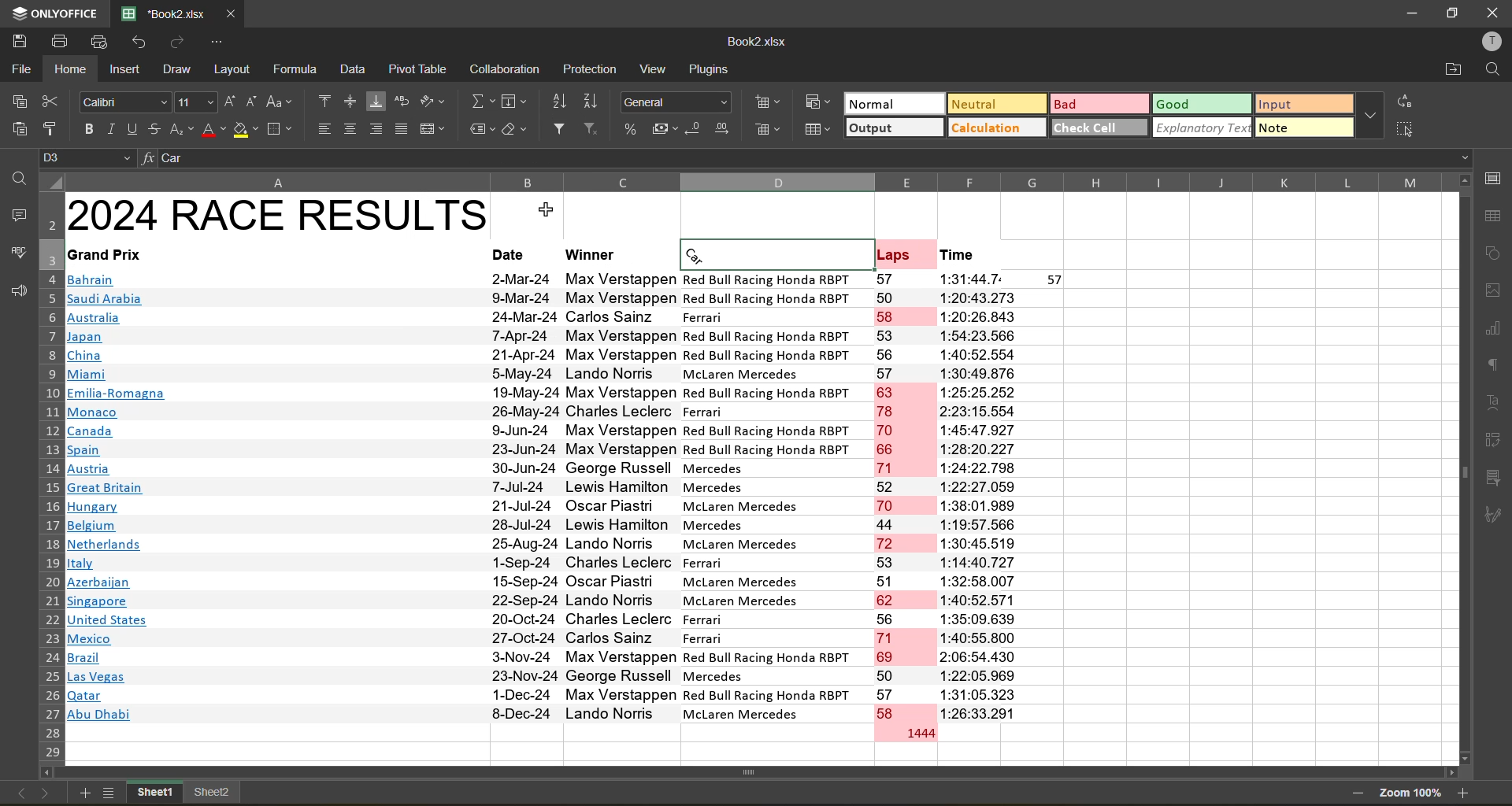 This screenshot has height=806, width=1512. Describe the element at coordinates (141, 41) in the screenshot. I see `undo` at that location.